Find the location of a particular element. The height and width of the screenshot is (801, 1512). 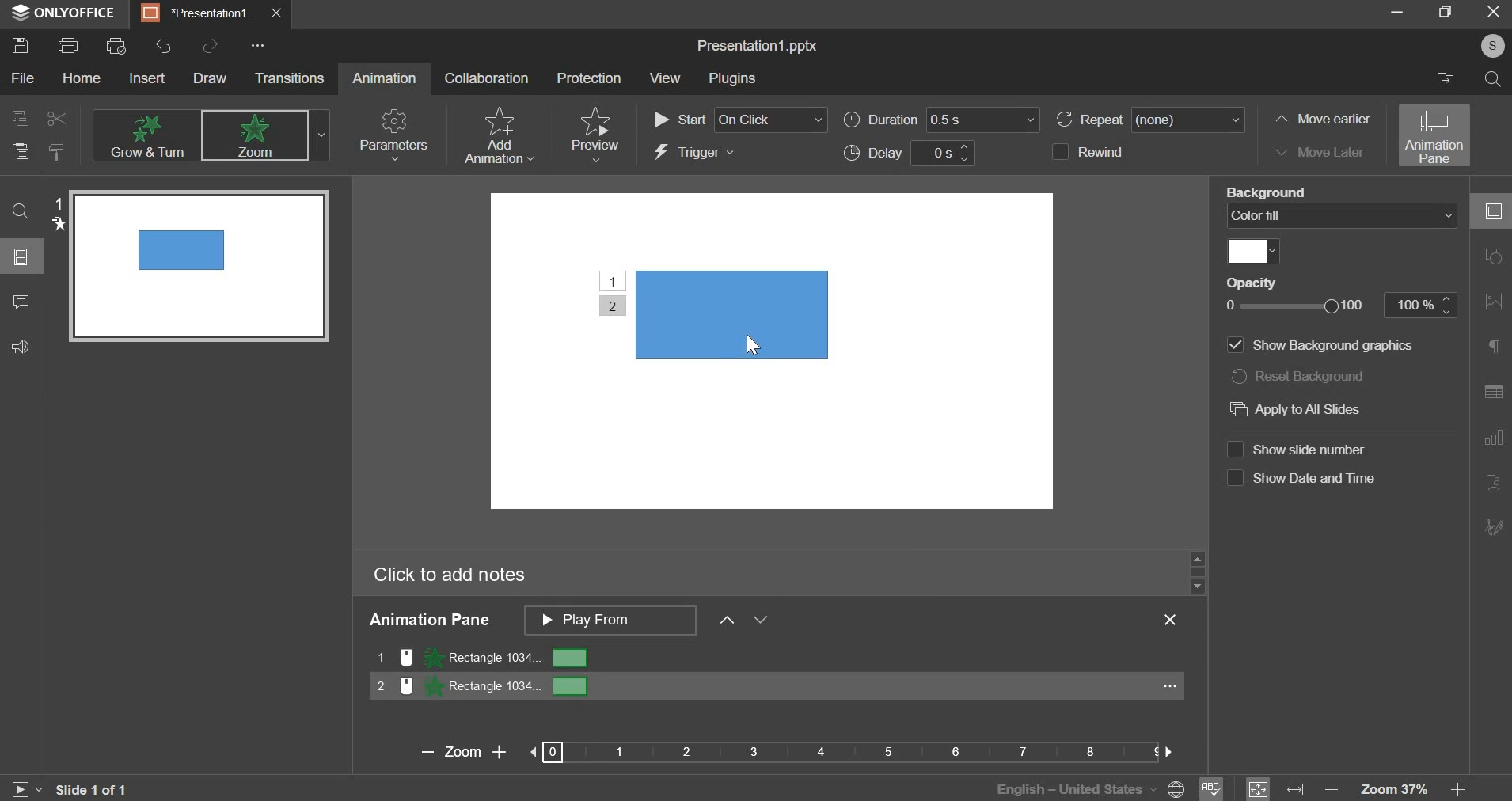

collaboration is located at coordinates (488, 78).